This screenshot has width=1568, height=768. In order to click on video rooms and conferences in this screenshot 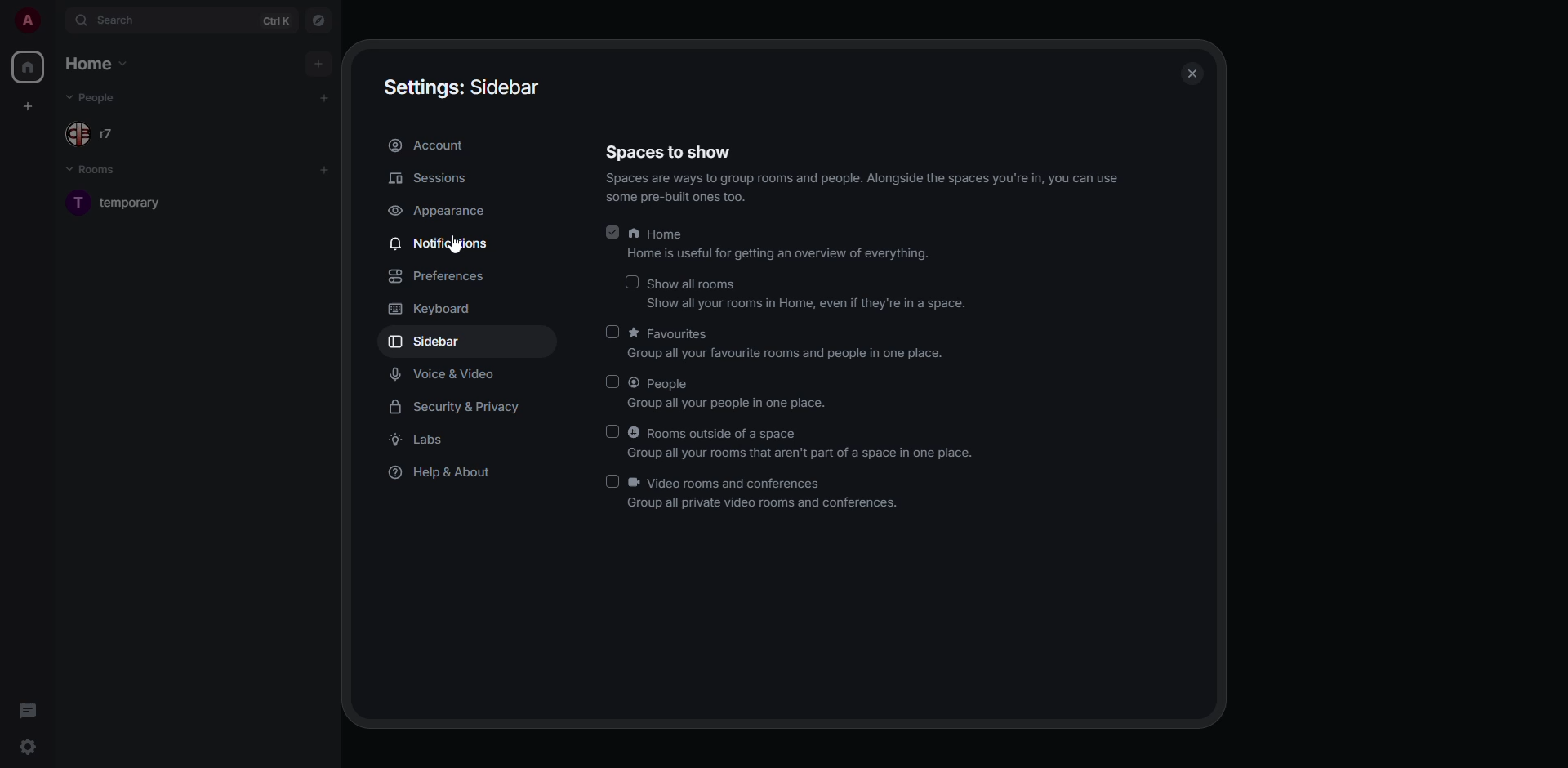, I will do `click(765, 494)`.